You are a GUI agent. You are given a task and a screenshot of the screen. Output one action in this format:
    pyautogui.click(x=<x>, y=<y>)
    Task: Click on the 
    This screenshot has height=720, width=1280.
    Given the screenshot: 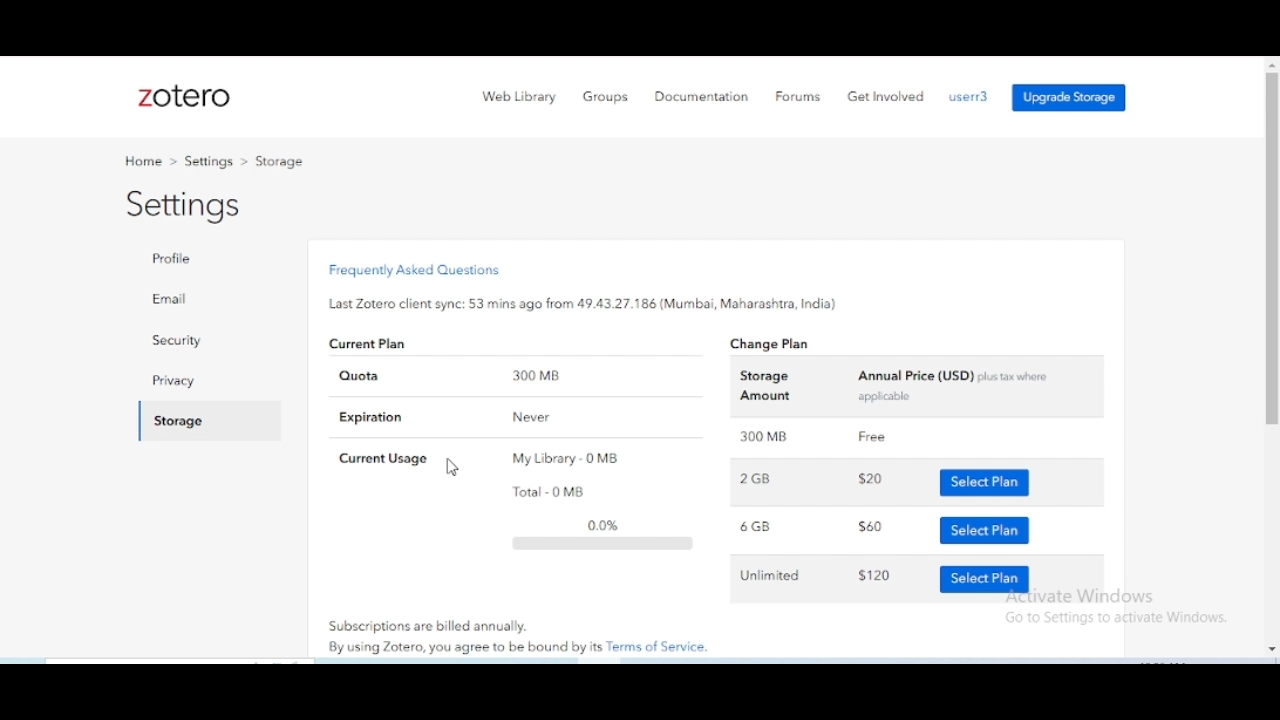 What is the action you would take?
    pyautogui.click(x=1117, y=619)
    